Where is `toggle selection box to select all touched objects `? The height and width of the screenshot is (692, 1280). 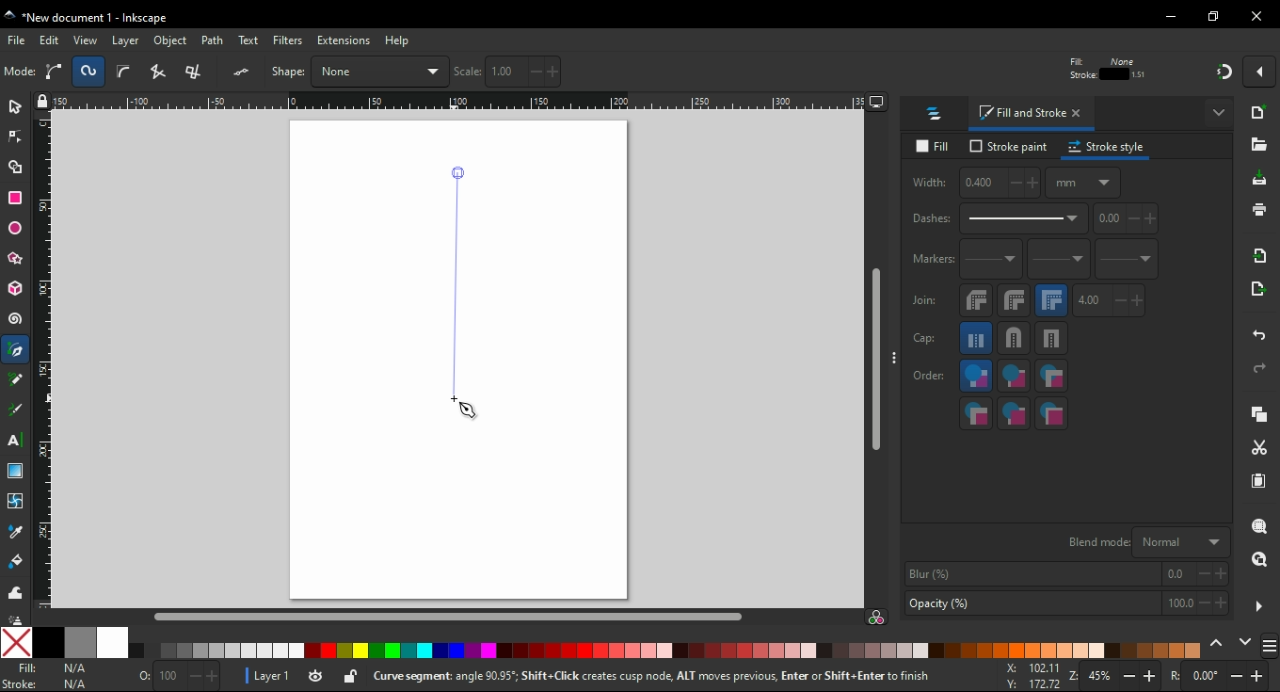 toggle selection box to select all touched objects  is located at coordinates (124, 72).